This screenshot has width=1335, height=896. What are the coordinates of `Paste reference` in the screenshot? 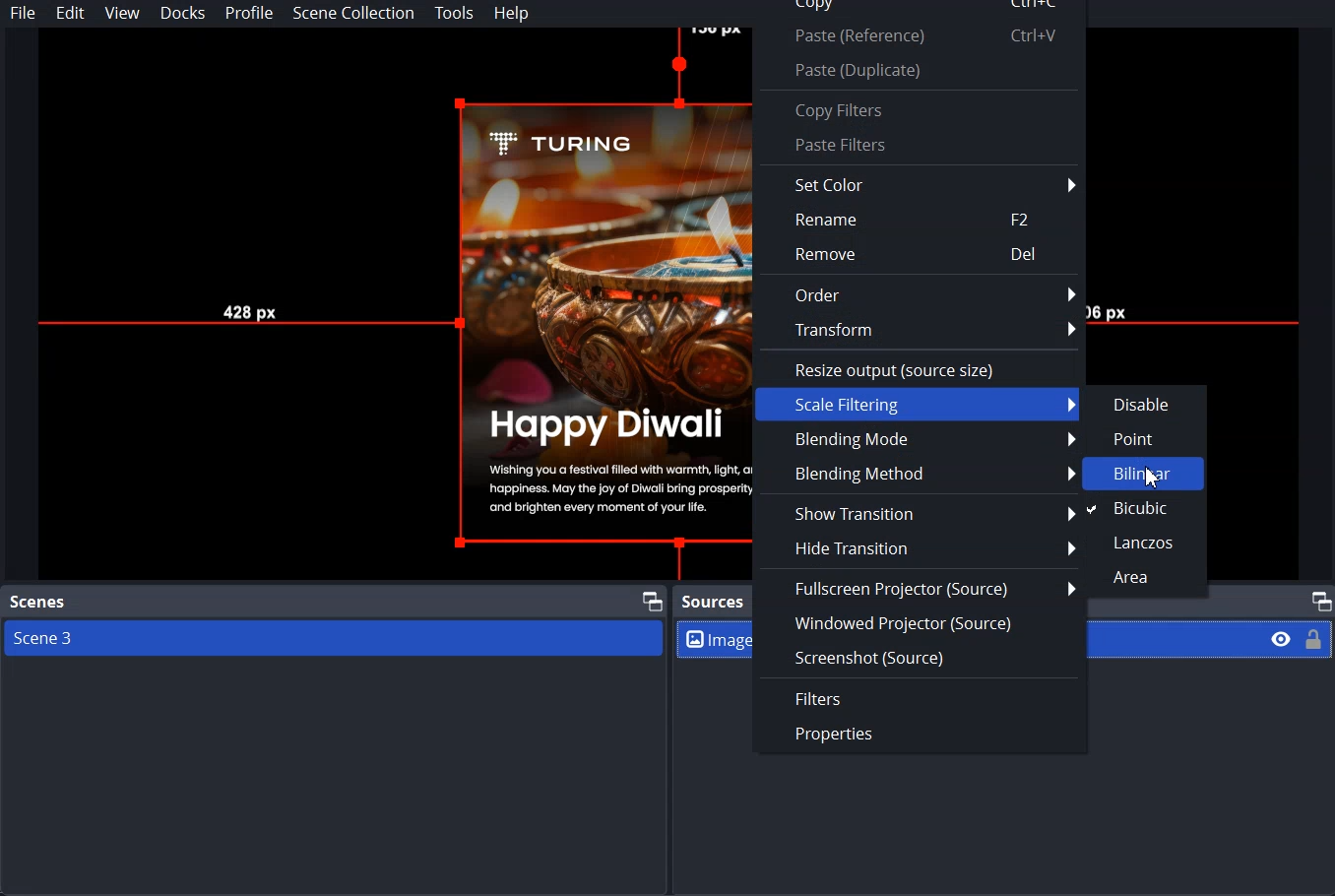 It's located at (918, 36).